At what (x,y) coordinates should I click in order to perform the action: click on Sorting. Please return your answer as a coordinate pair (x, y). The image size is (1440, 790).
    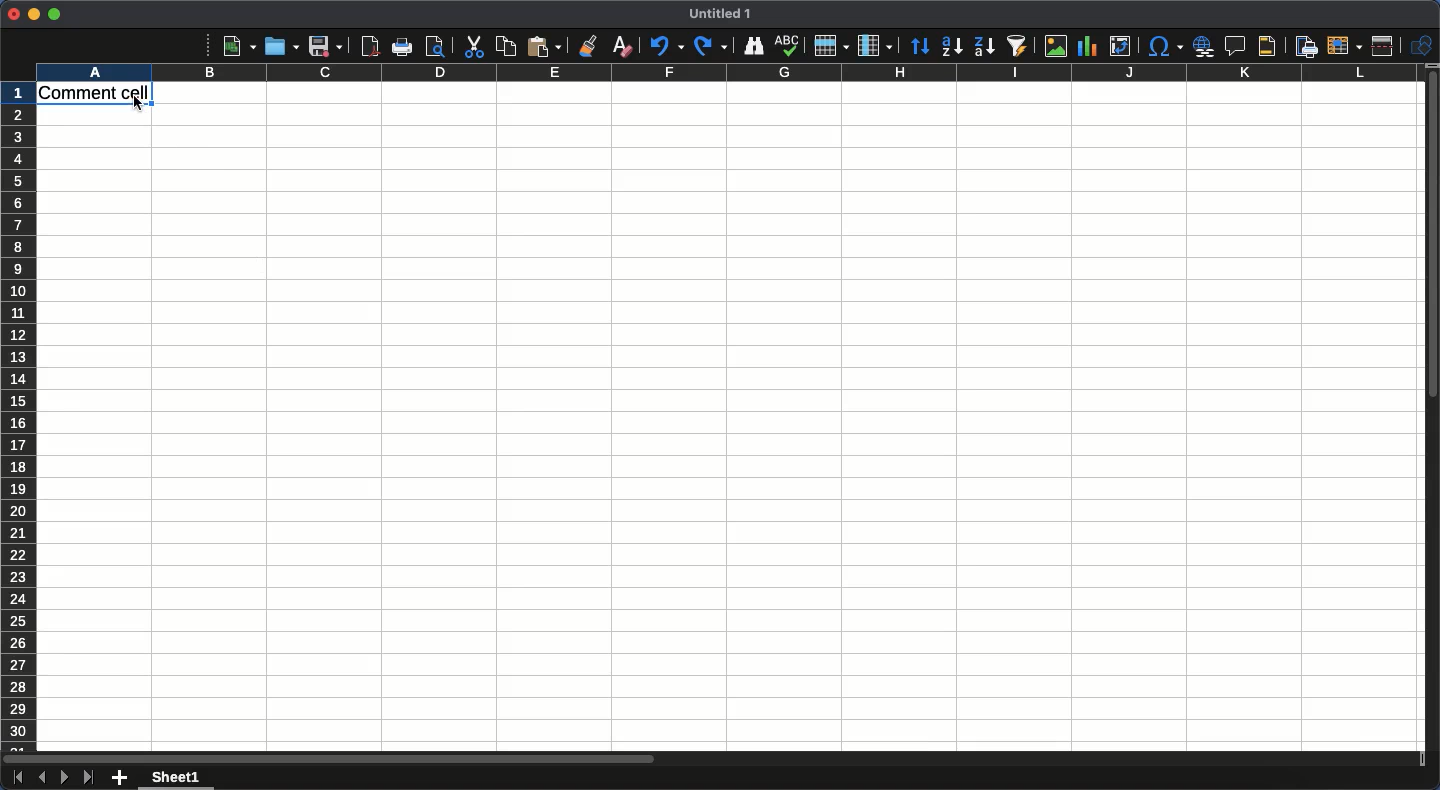
    Looking at the image, I should click on (921, 46).